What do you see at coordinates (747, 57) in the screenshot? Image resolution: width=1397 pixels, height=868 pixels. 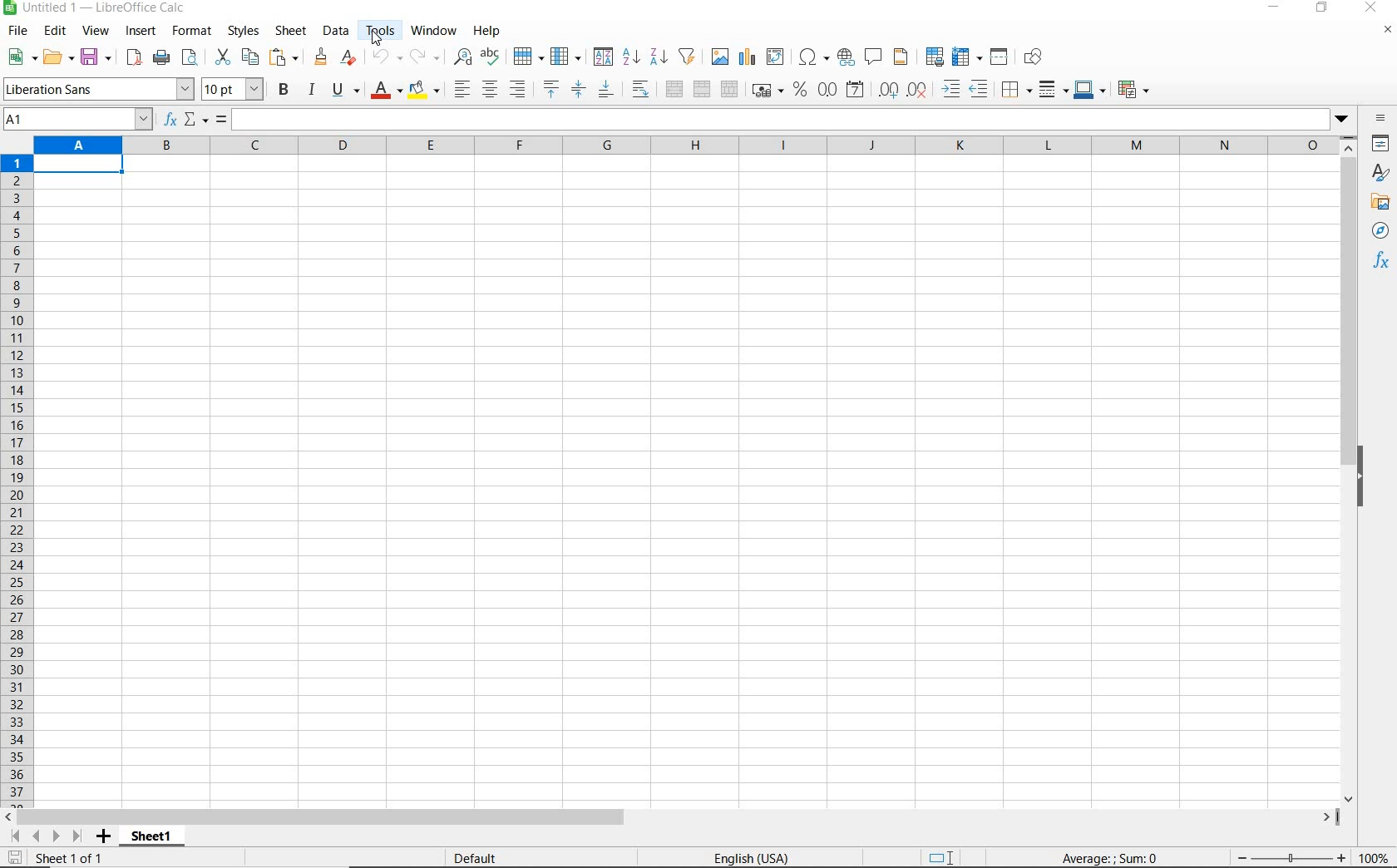 I see `insert chart` at bounding box center [747, 57].